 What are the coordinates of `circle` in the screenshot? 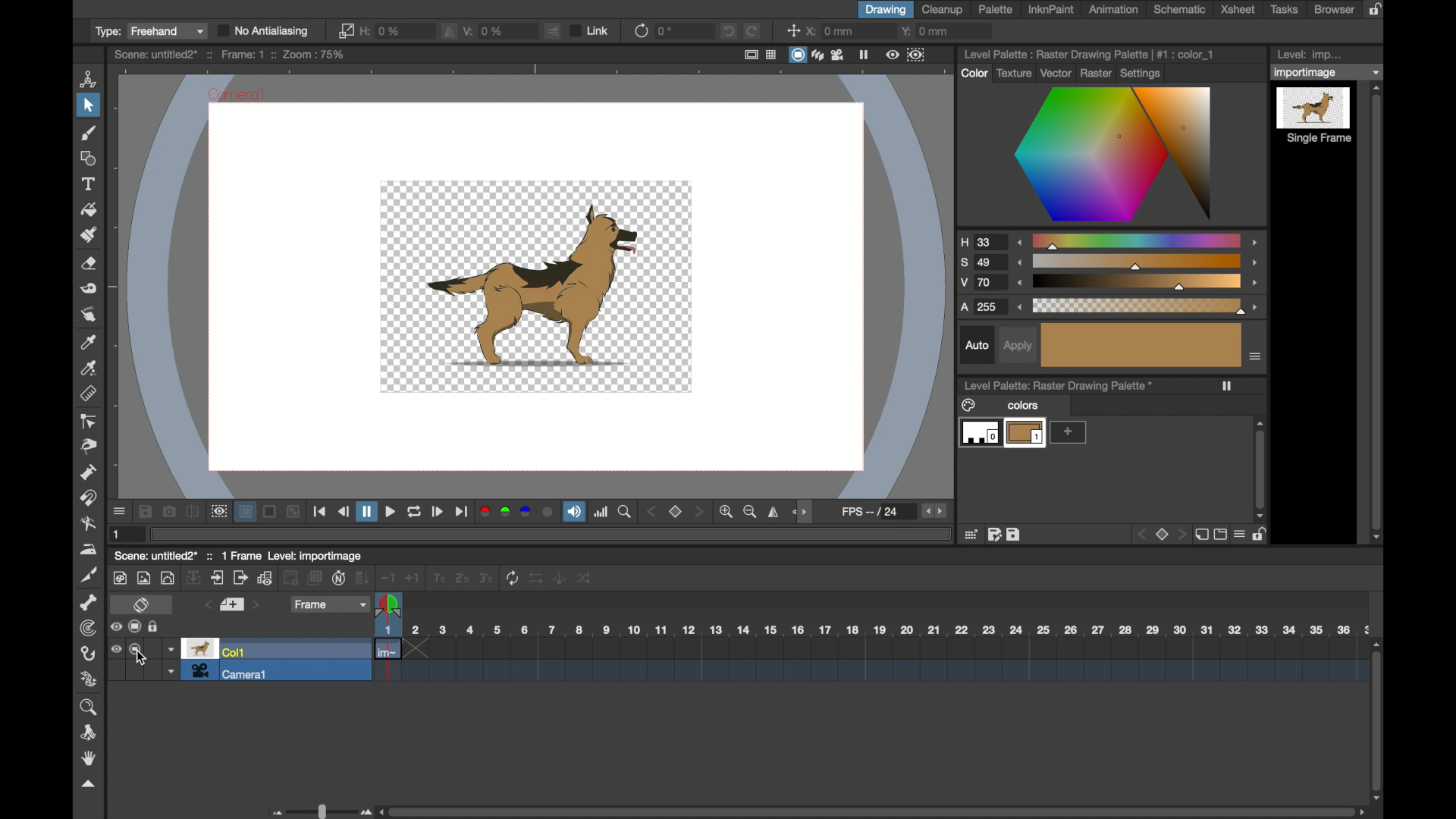 It's located at (548, 513).